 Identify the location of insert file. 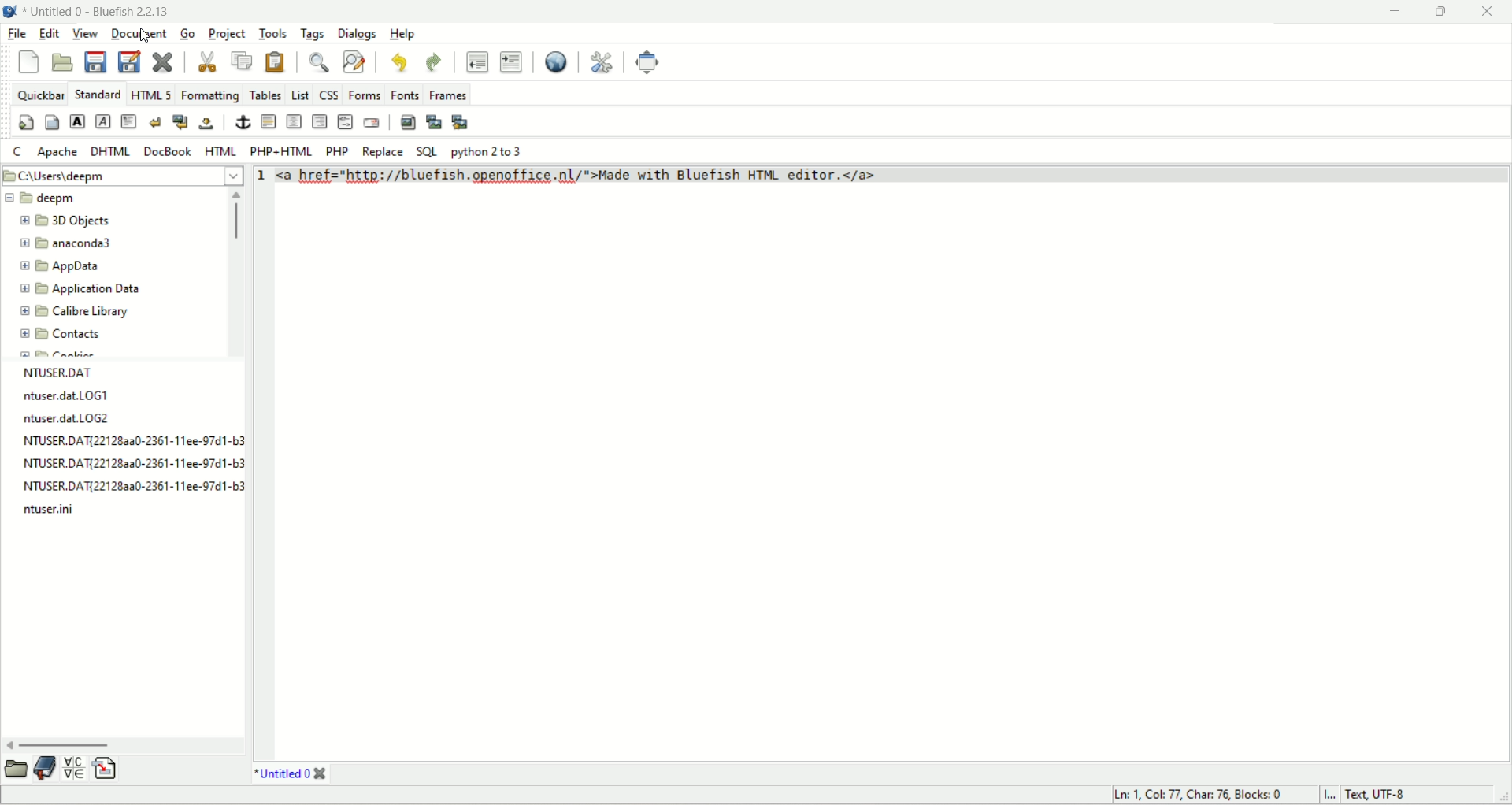
(103, 767).